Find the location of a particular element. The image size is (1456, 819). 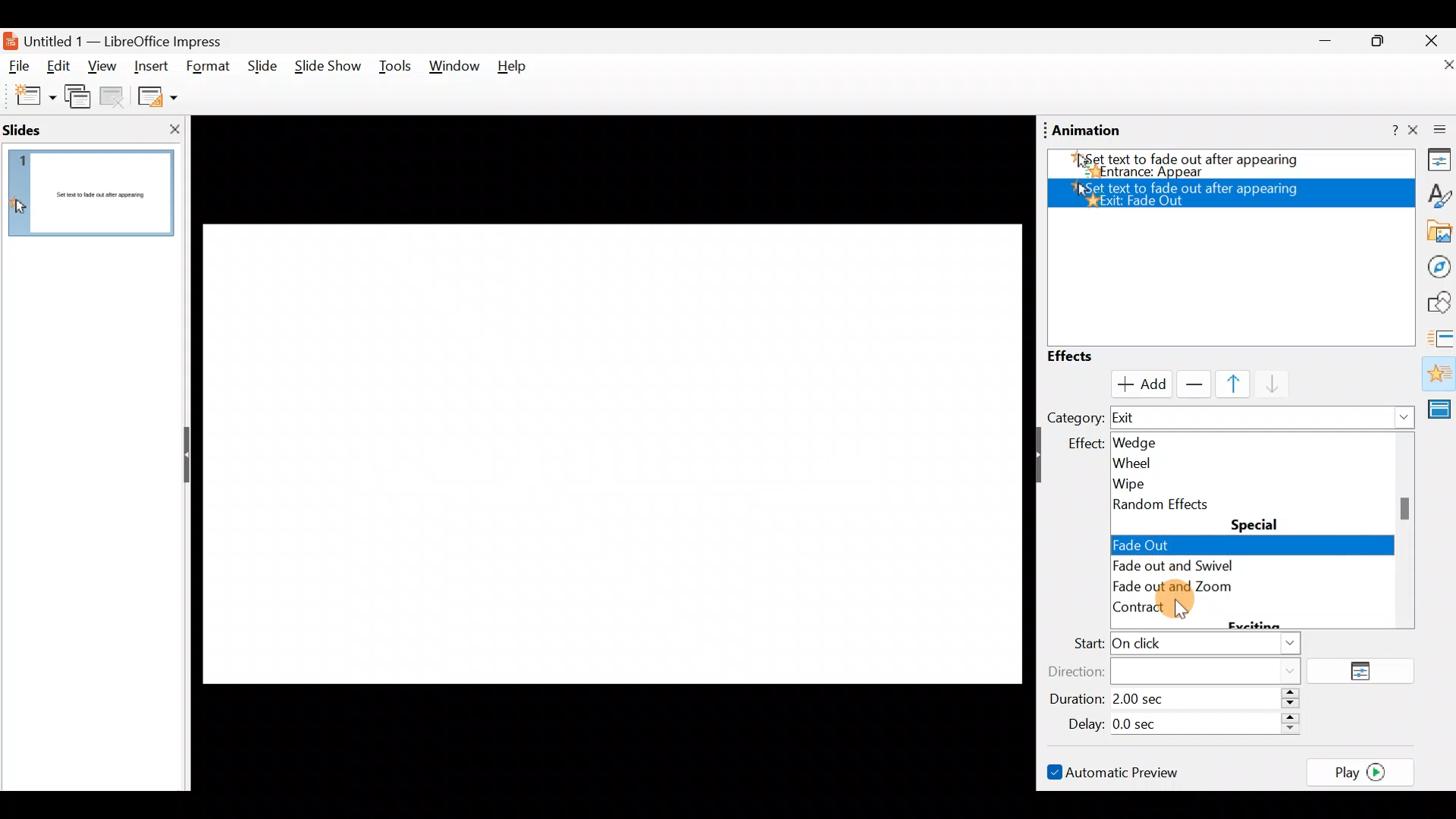

Wipe is located at coordinates (1161, 481).